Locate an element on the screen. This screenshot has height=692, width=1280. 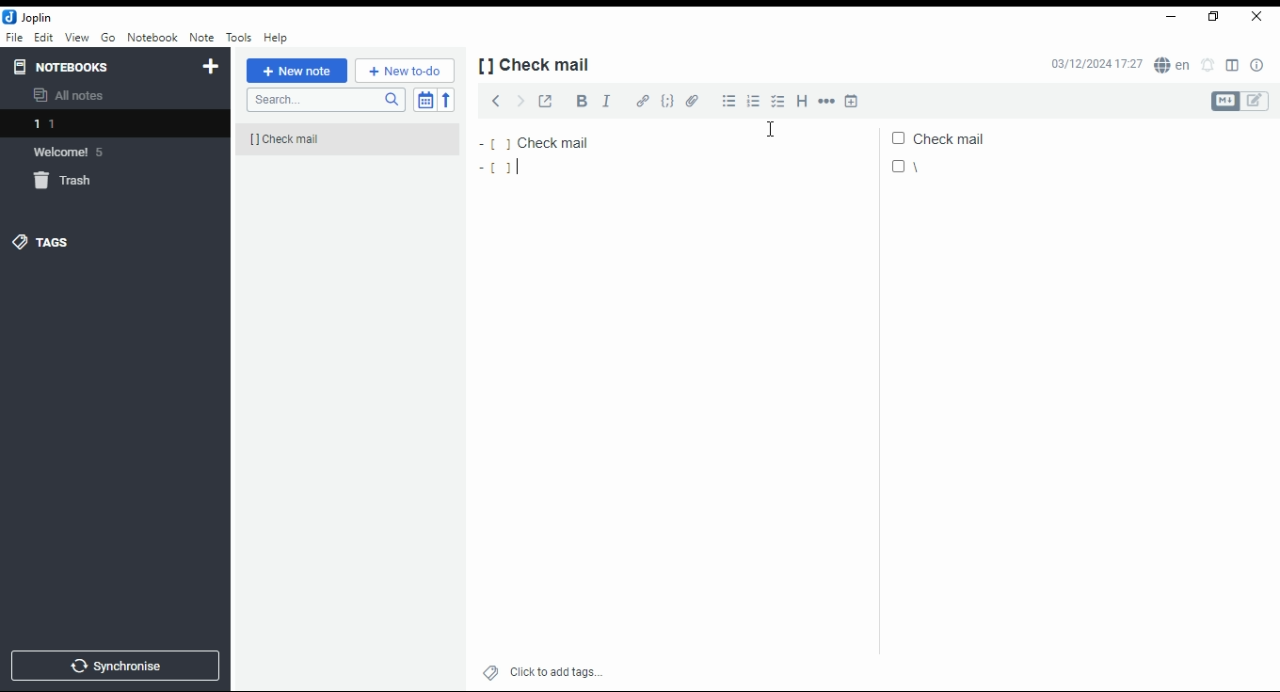
search is located at coordinates (324, 99).